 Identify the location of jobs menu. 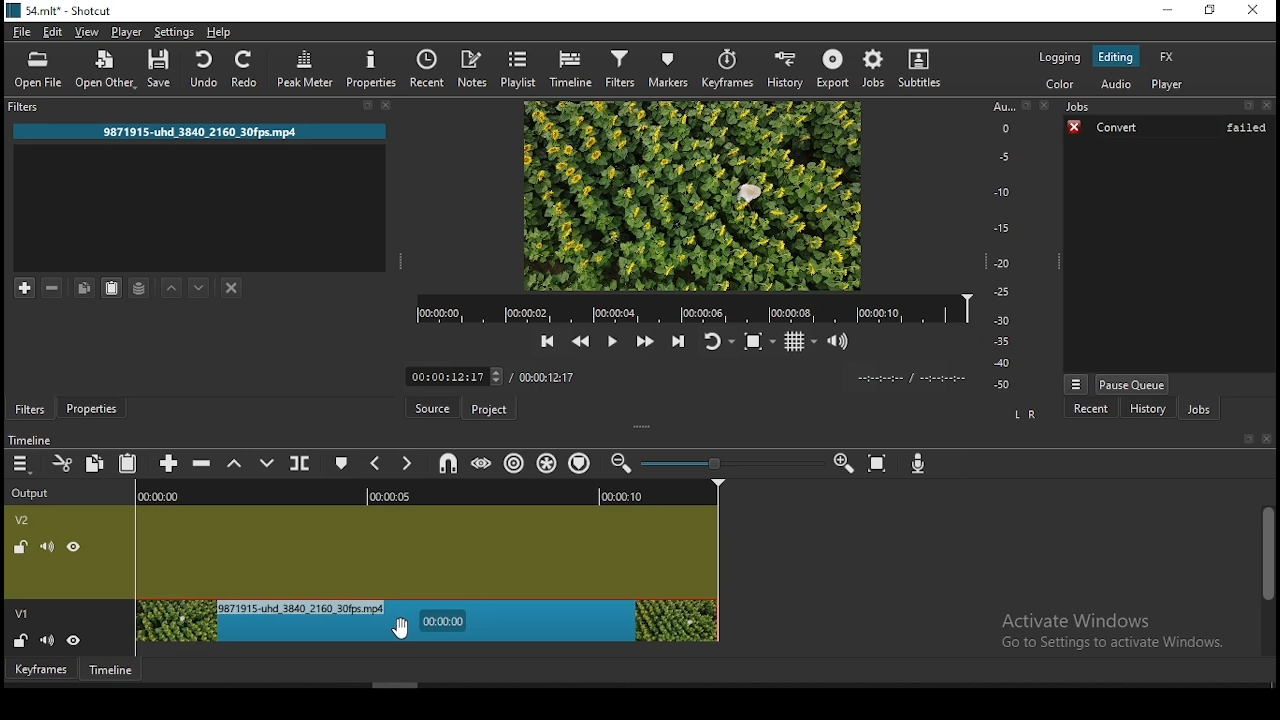
(1077, 384).